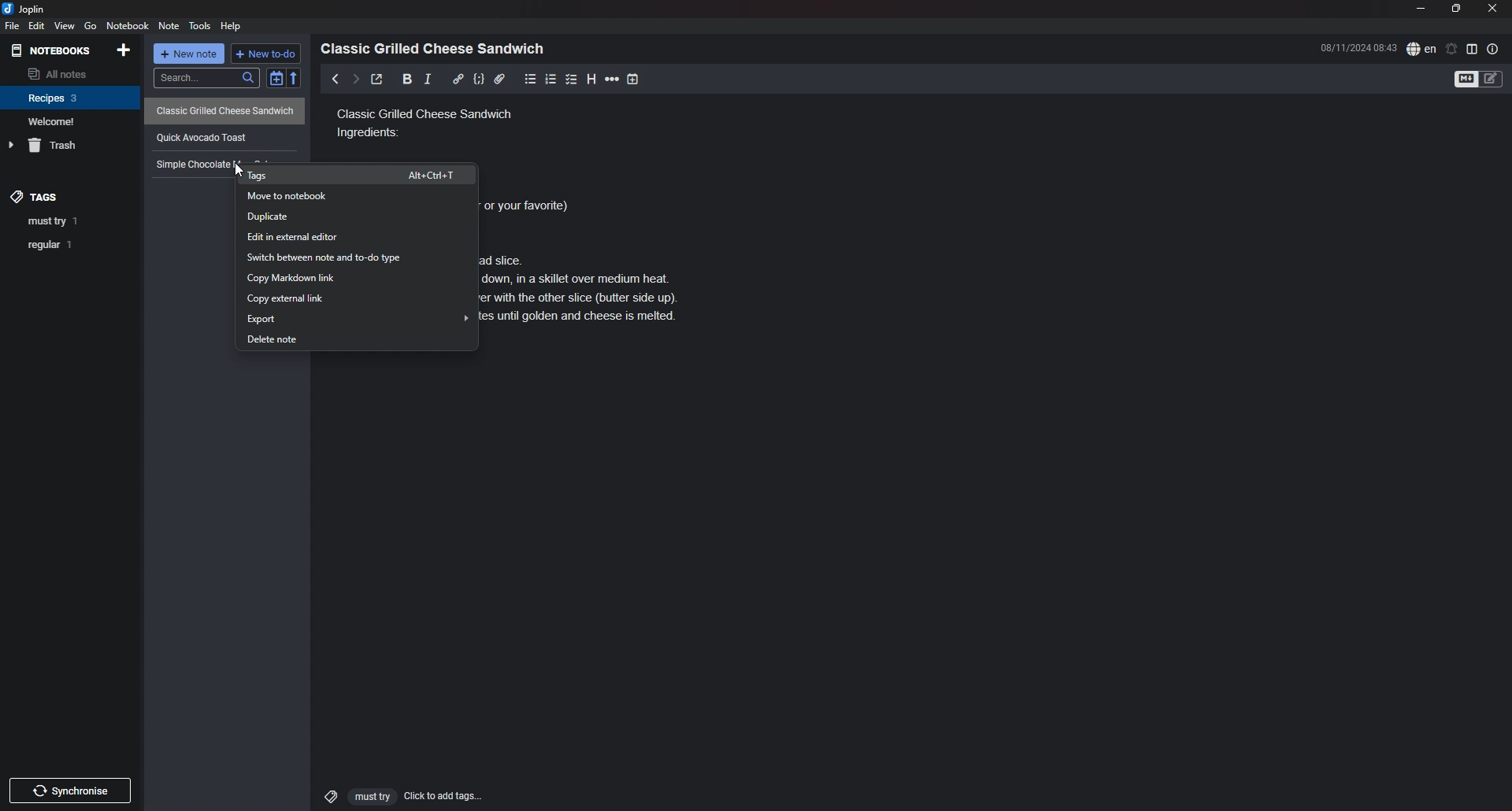 Image resolution: width=1512 pixels, height=811 pixels. I want to click on Switch between note and to do, so click(358, 257).